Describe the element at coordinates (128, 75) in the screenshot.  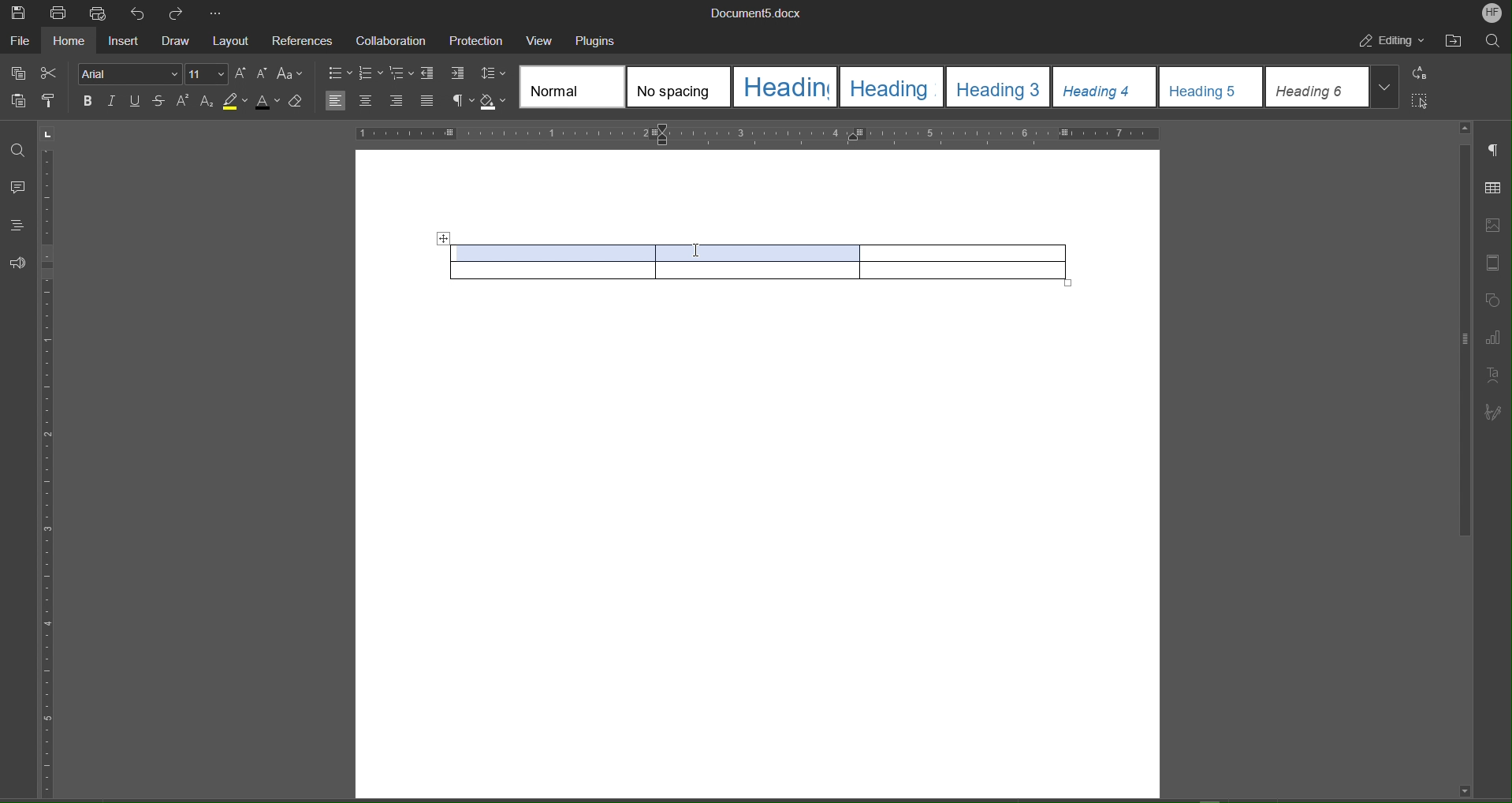
I see `Font` at that location.